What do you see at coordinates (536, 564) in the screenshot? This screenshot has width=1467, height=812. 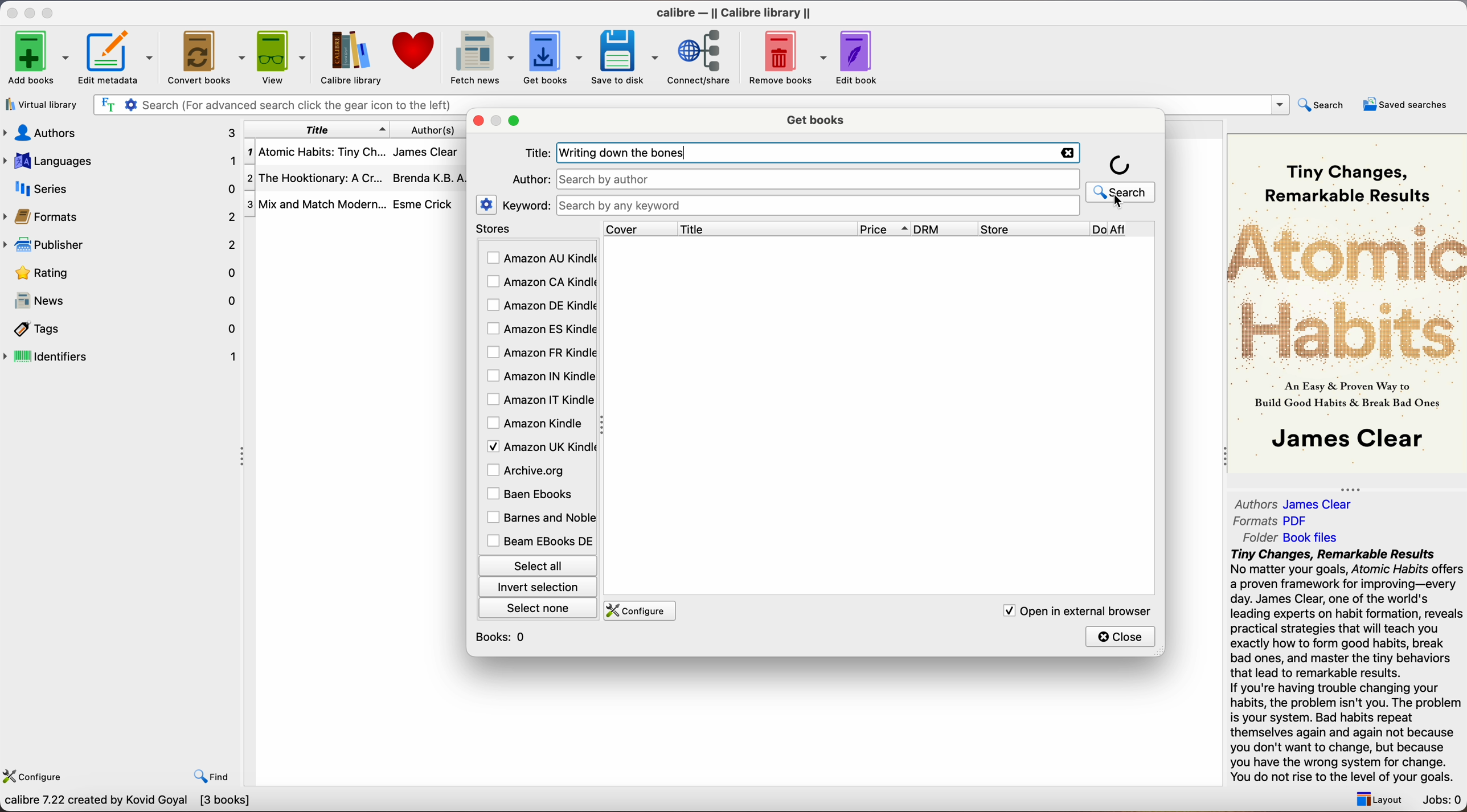 I see `select all` at bounding box center [536, 564].